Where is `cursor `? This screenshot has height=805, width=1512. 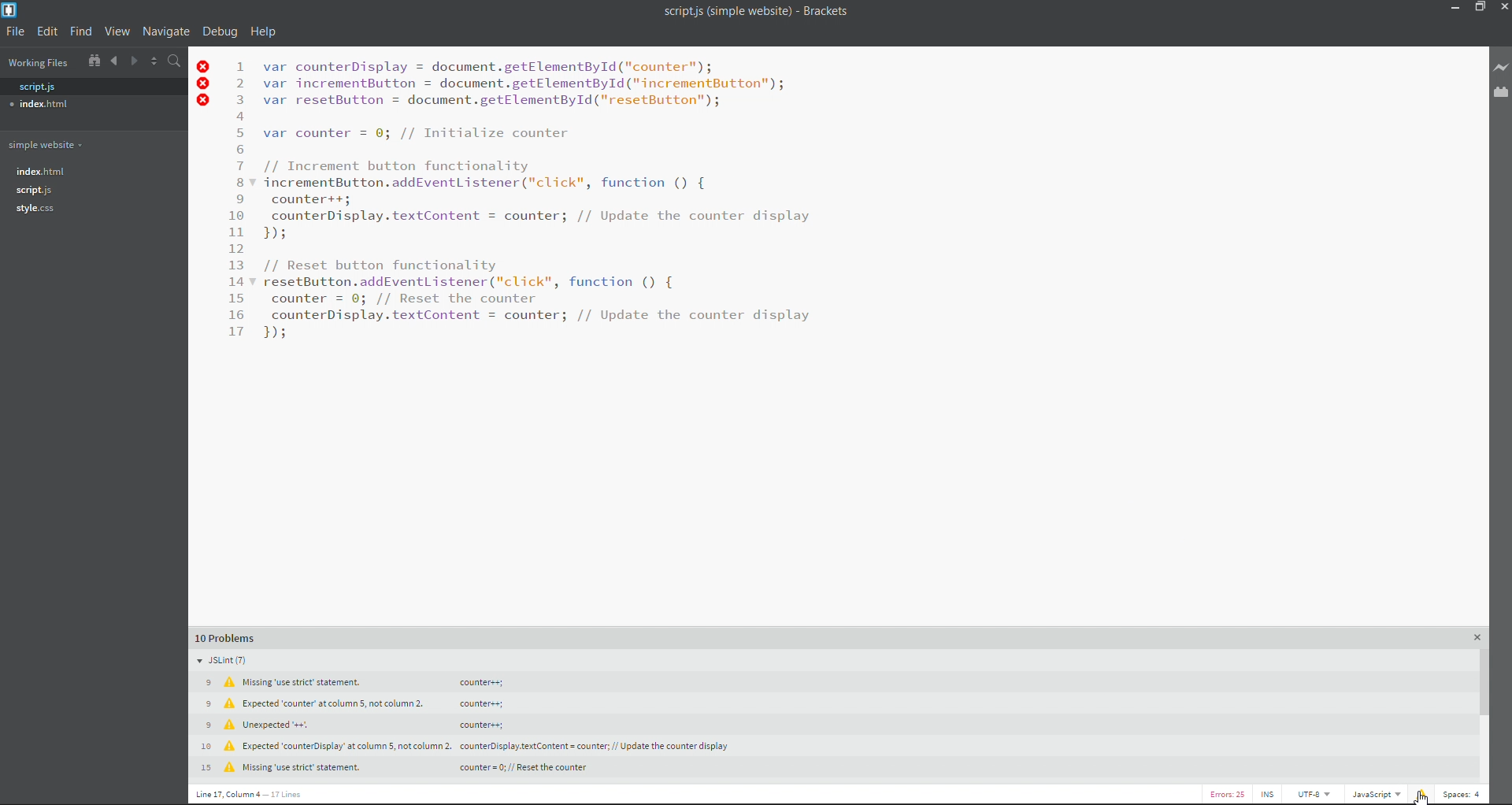 cursor  is located at coordinates (1424, 798).